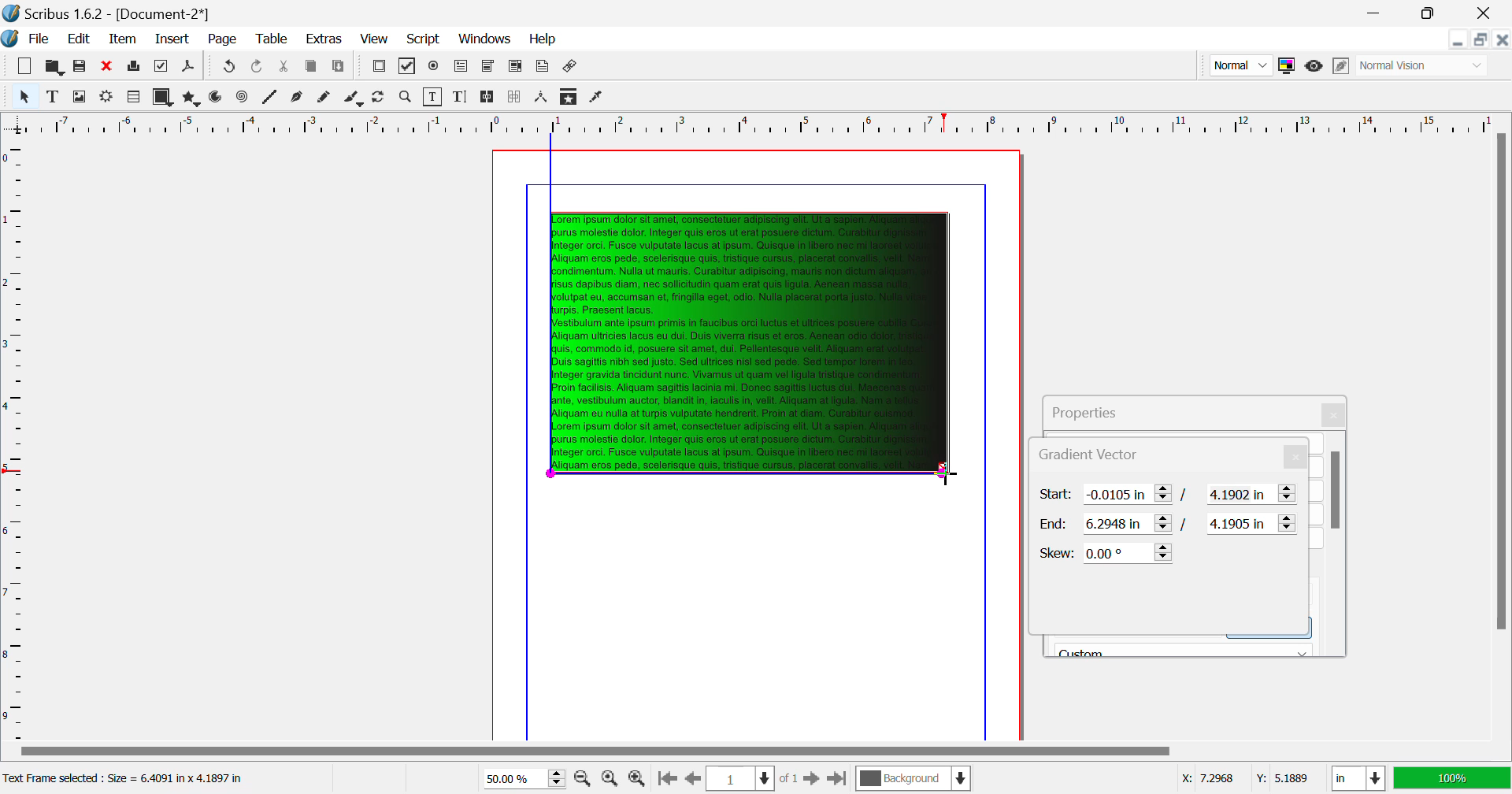 The height and width of the screenshot is (794, 1512). Describe the element at coordinates (24, 95) in the screenshot. I see `Select` at that location.